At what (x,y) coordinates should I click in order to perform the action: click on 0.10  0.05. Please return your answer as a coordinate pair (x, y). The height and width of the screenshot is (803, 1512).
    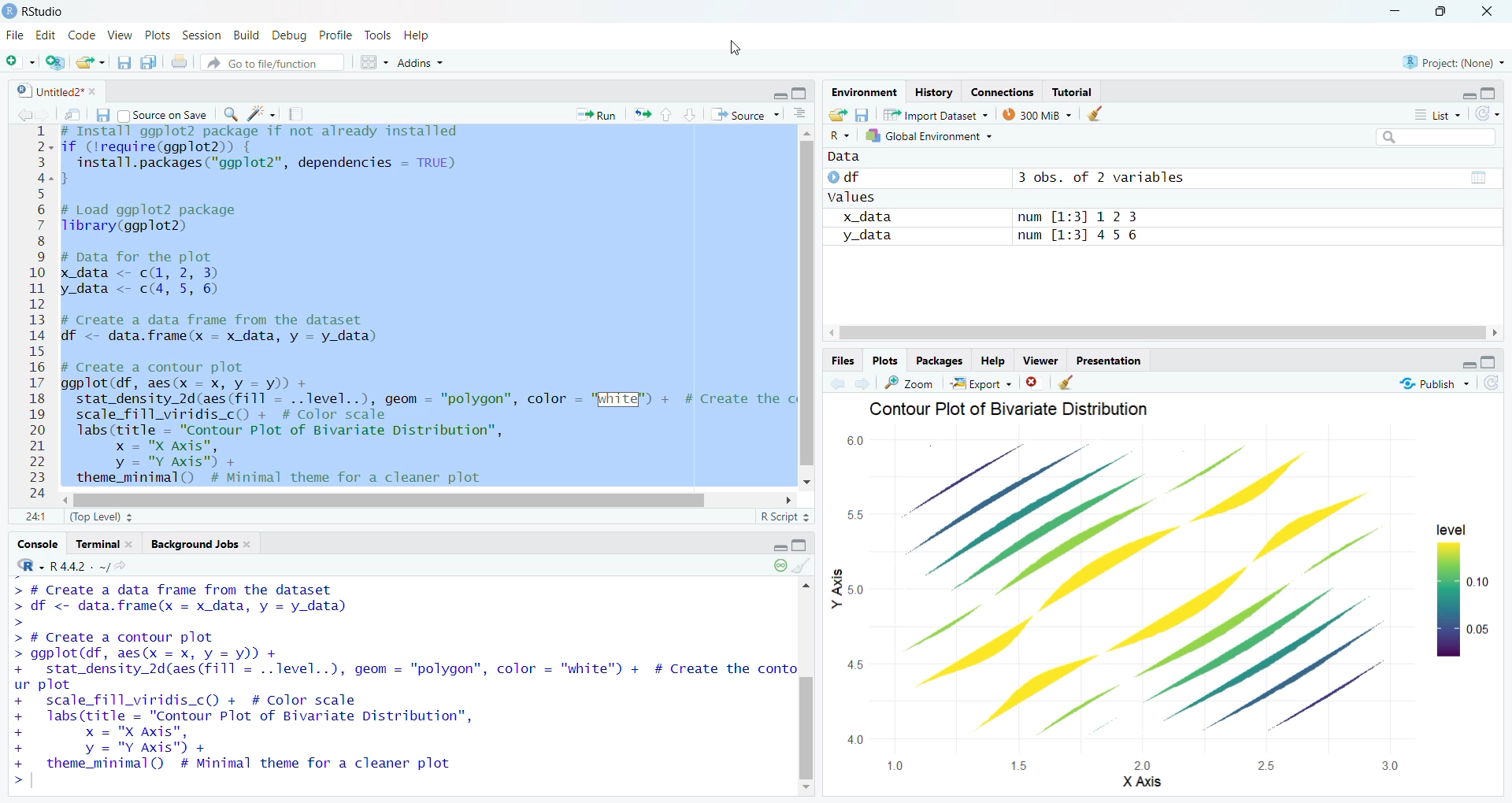
    Looking at the image, I should click on (1464, 602).